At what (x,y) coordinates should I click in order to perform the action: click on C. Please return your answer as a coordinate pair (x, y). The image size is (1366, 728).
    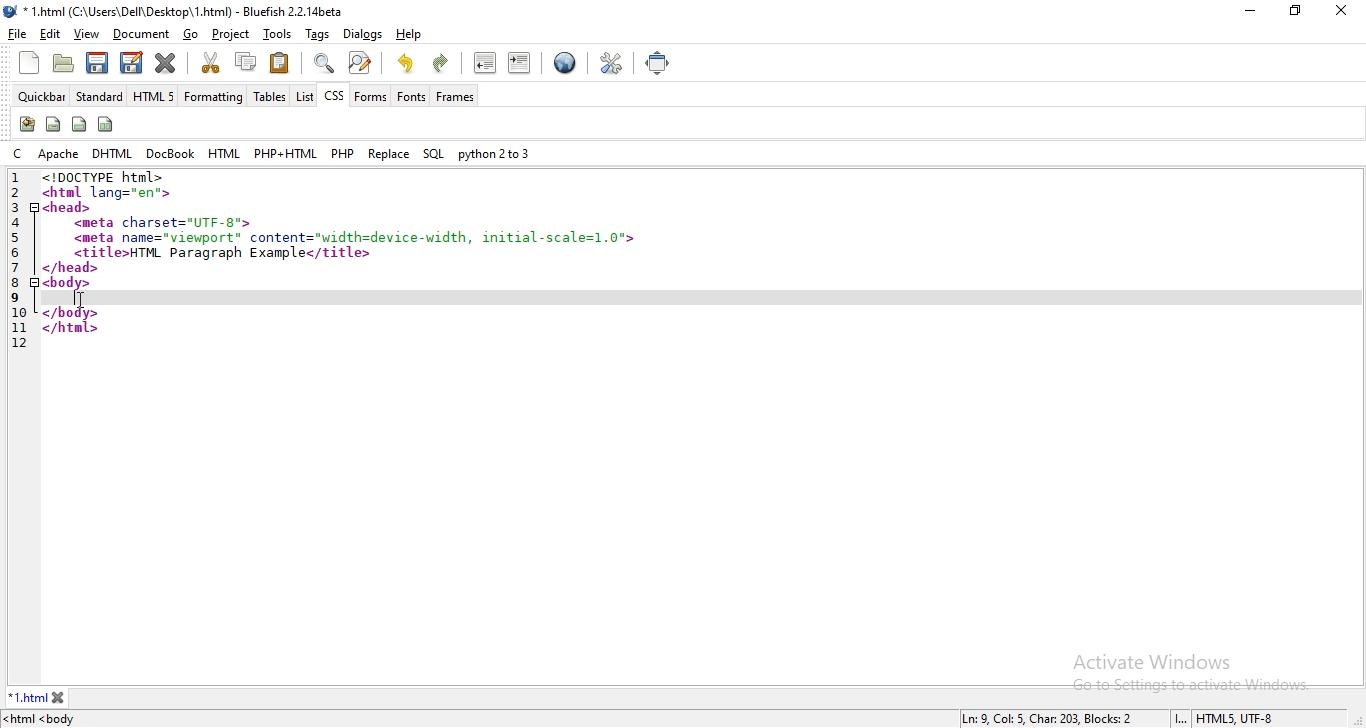
    Looking at the image, I should click on (18, 154).